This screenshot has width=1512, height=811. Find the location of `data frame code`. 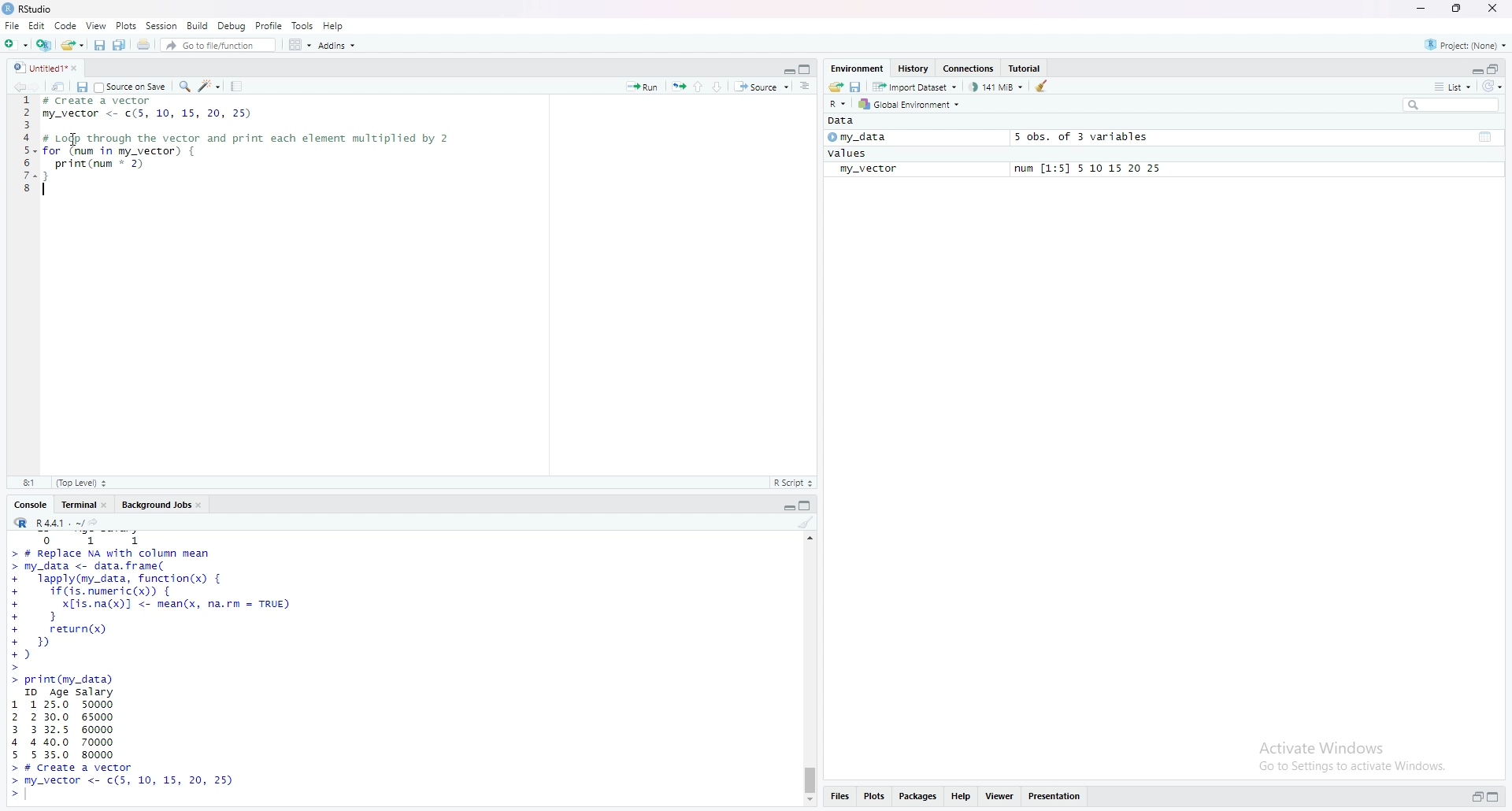

data frame code is located at coordinates (250, 147).